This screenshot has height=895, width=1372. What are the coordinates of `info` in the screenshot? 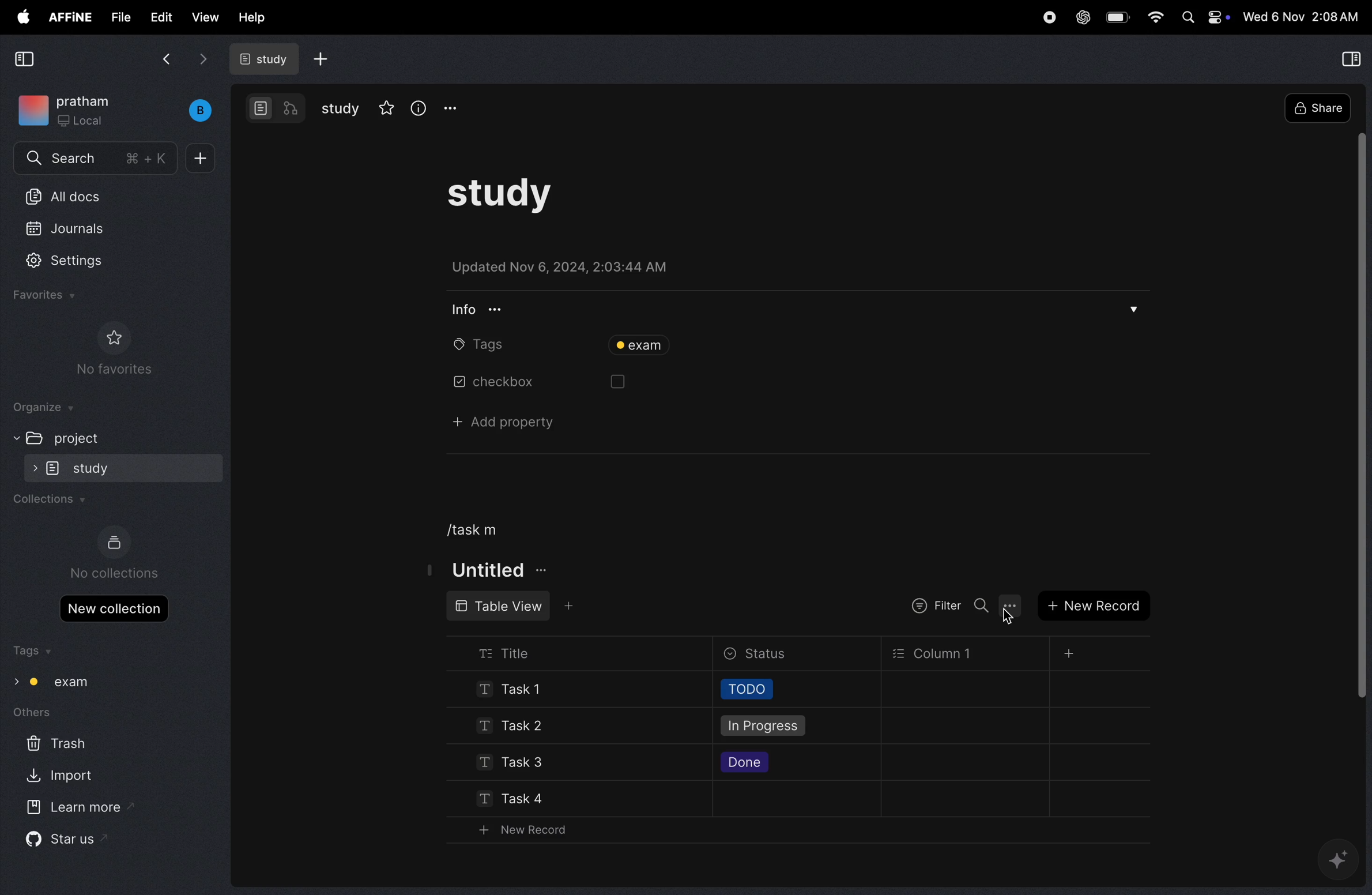 It's located at (418, 108).